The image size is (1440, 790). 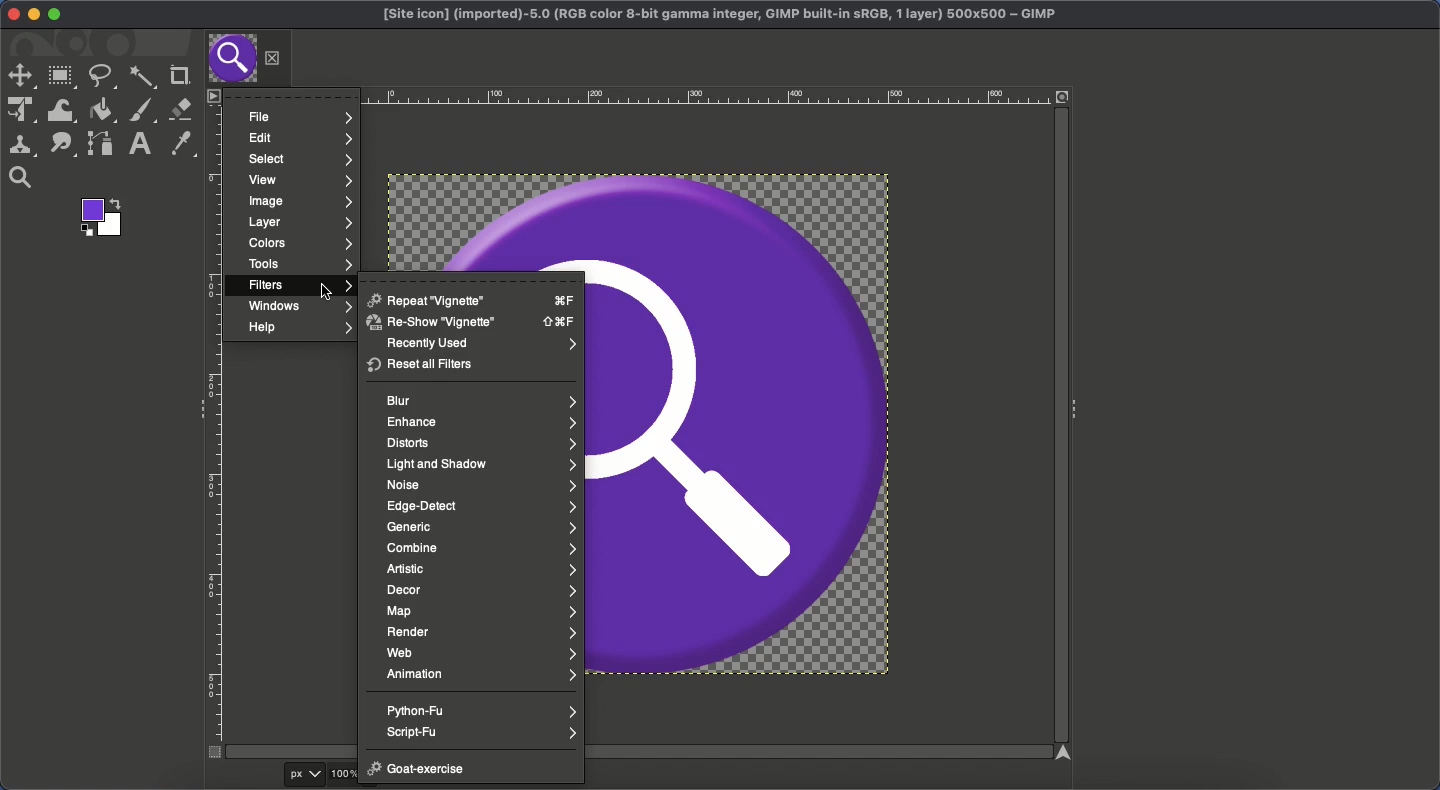 I want to click on Ruler, so click(x=633, y=96).